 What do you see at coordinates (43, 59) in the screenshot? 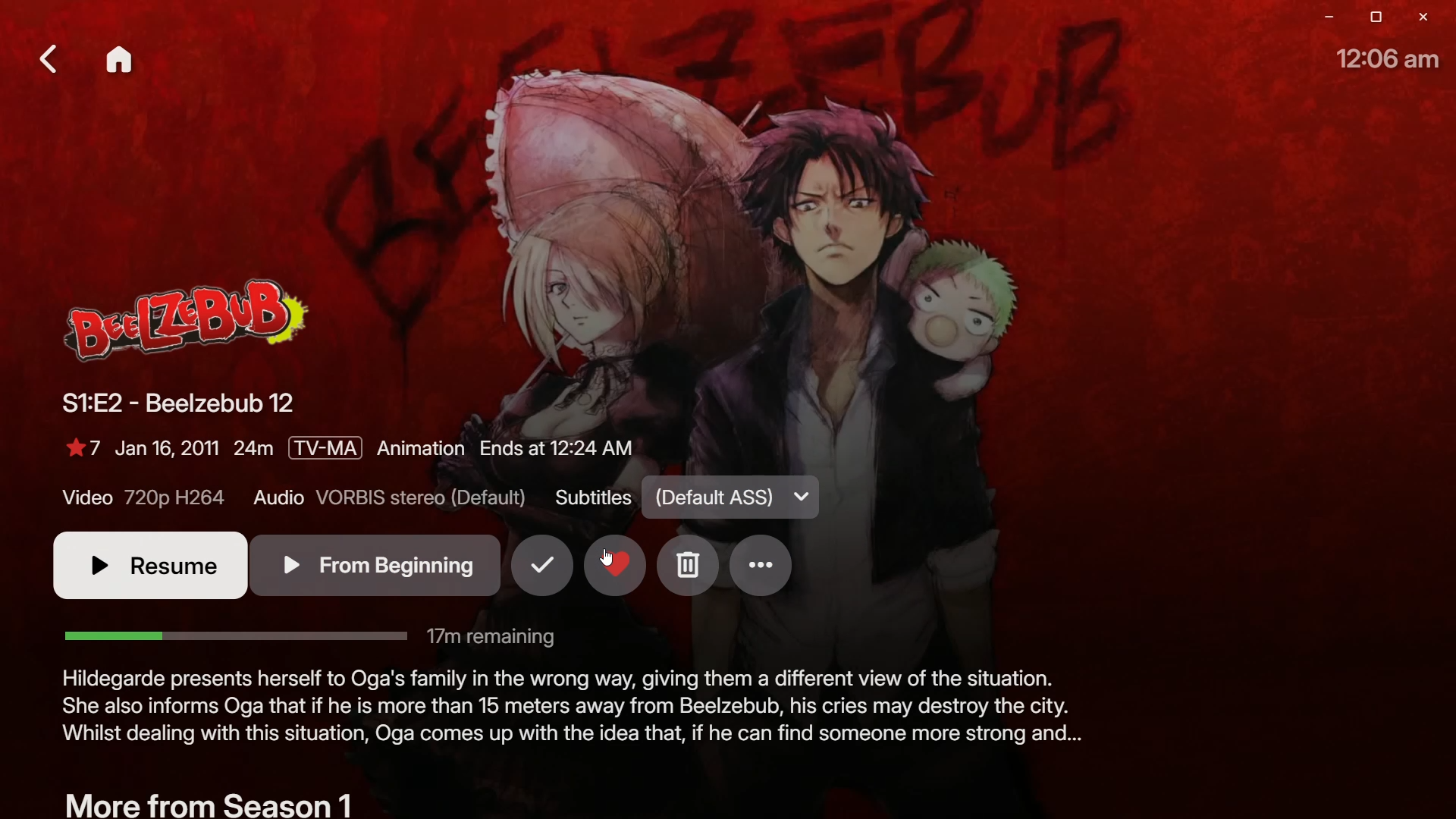
I see `Back` at bounding box center [43, 59].